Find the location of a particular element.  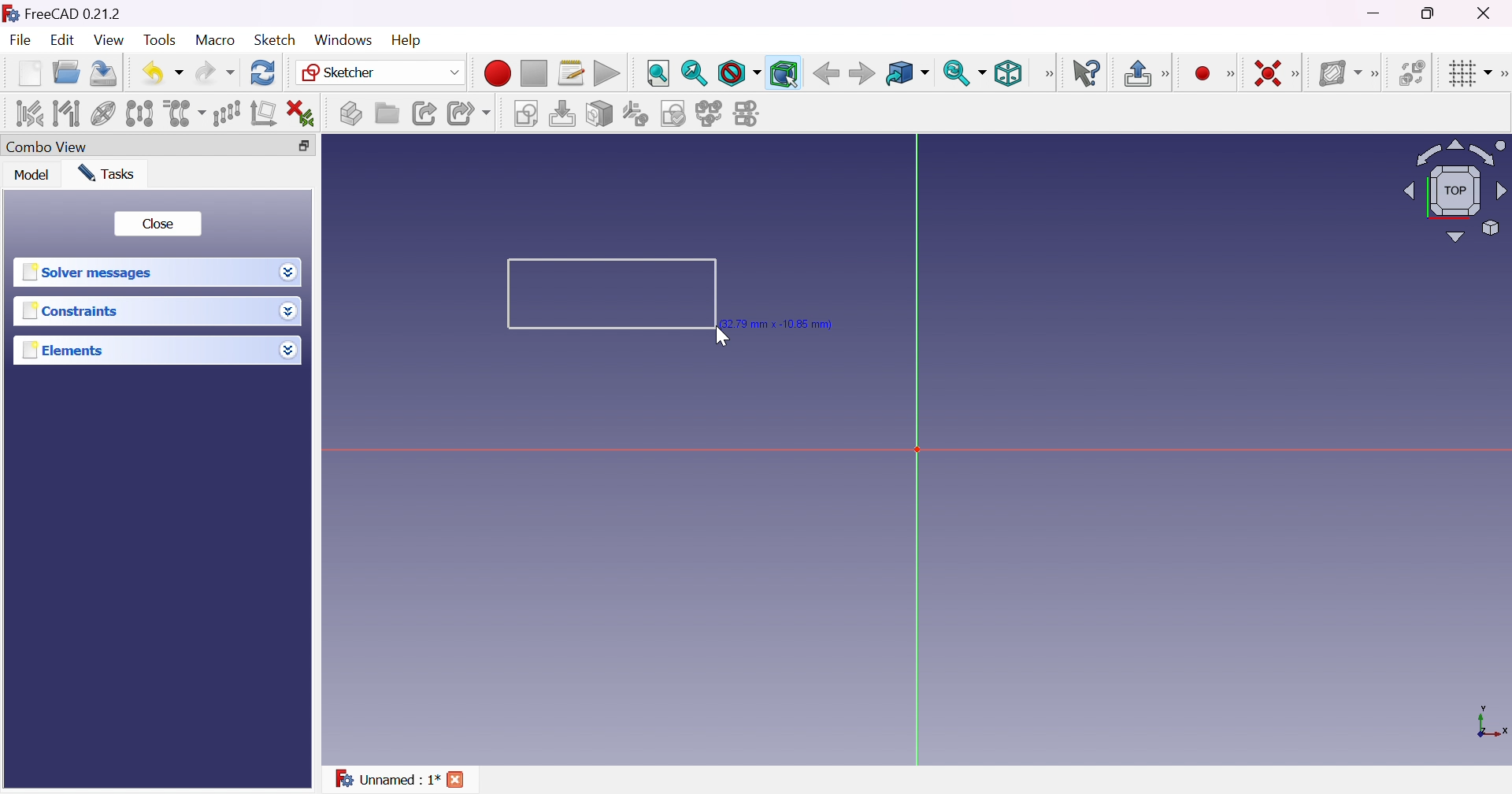

Clone is located at coordinates (183, 113).